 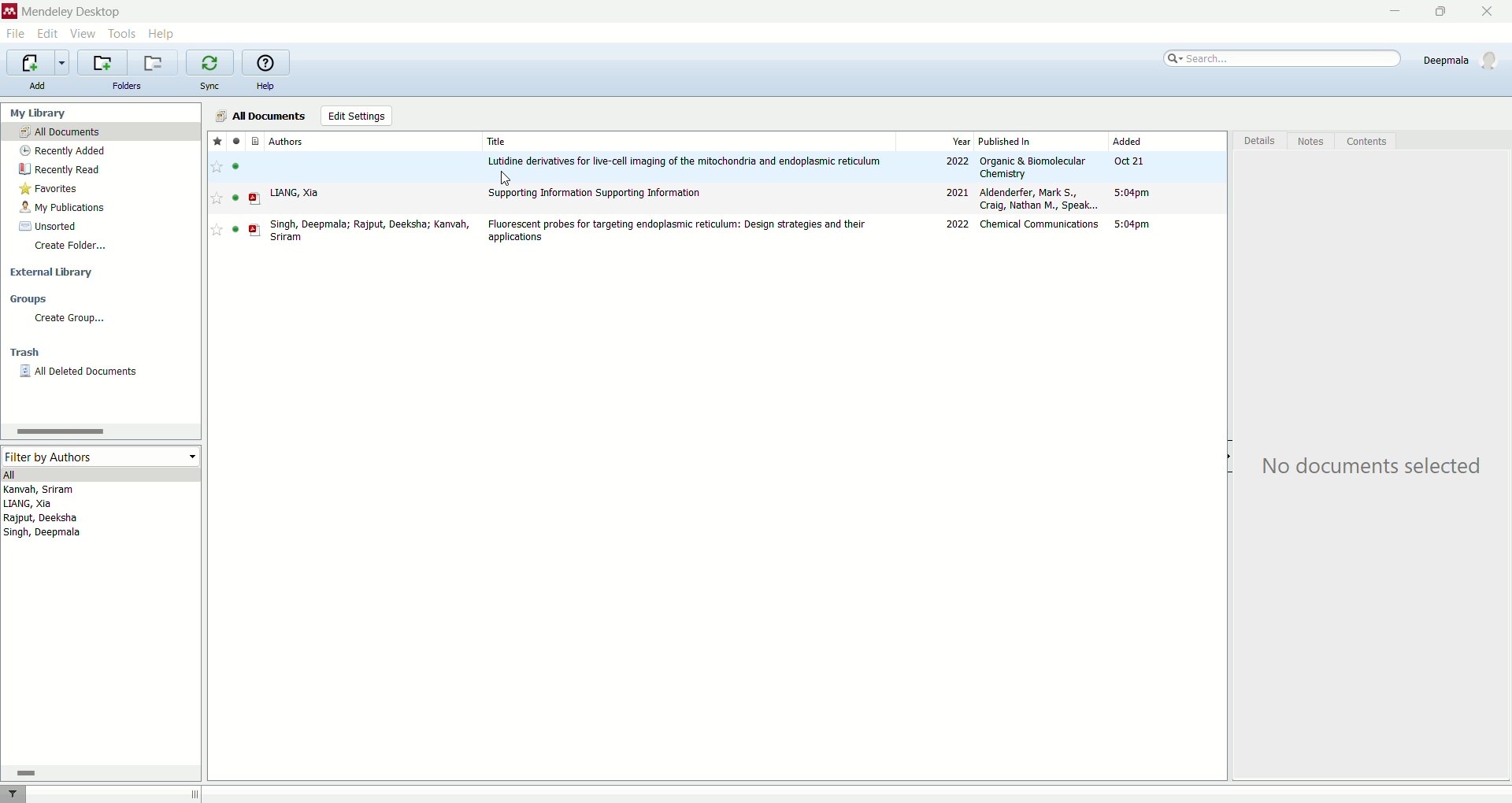 I want to click on online help guide for mendeley, so click(x=266, y=62).